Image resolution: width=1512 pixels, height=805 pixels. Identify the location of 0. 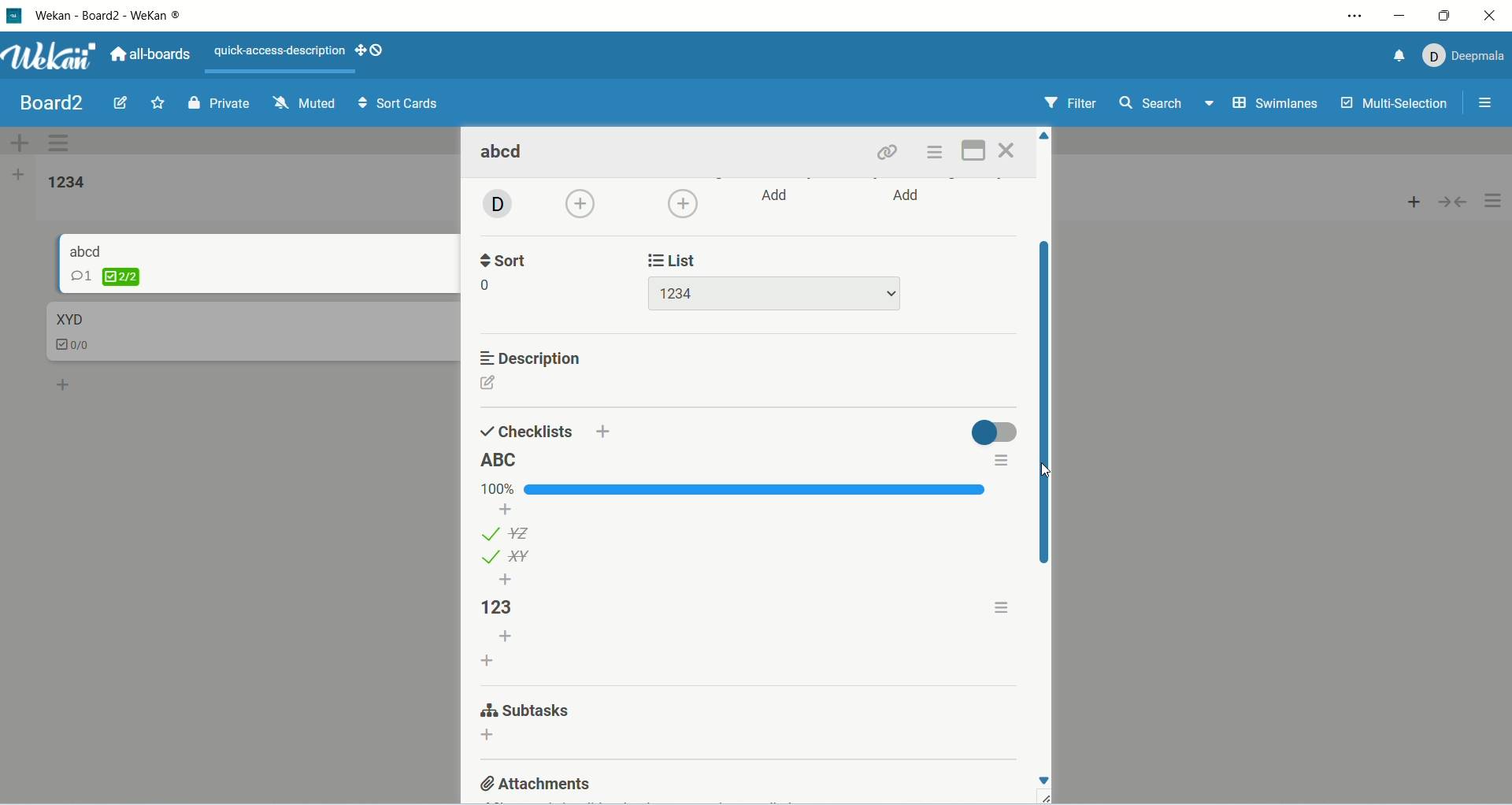
(489, 286).